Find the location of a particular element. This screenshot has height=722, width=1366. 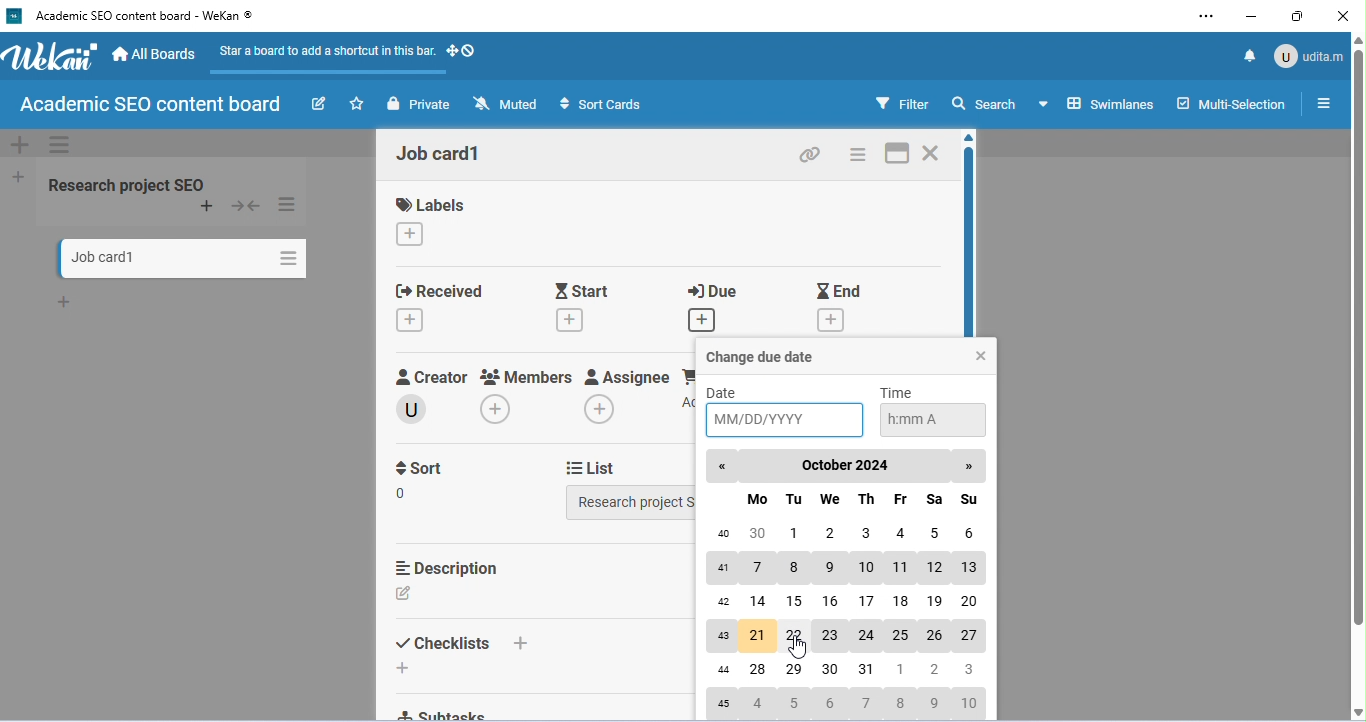

add checklist to top  is located at coordinates (528, 643).